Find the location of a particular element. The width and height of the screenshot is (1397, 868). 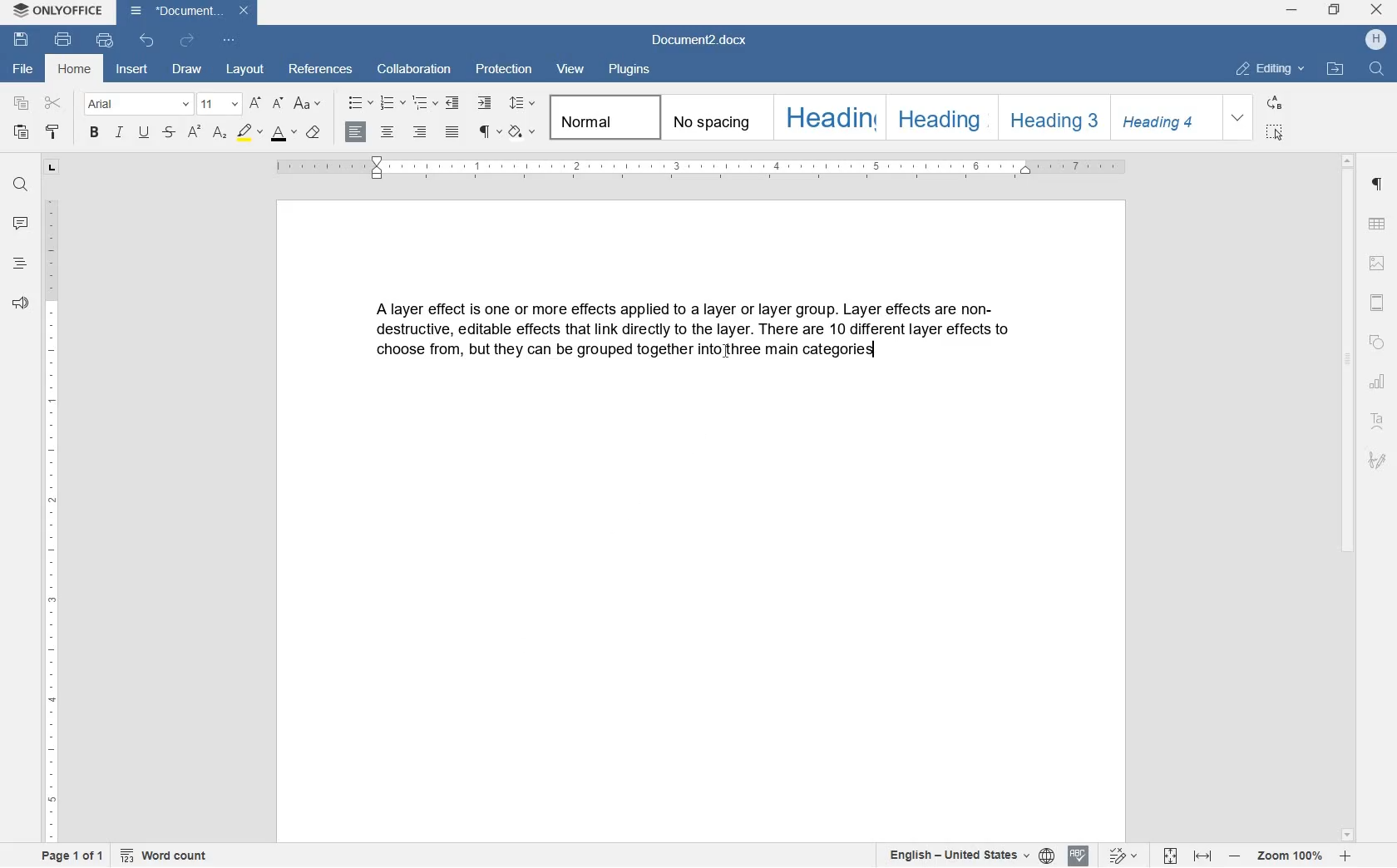

underline is located at coordinates (146, 132).